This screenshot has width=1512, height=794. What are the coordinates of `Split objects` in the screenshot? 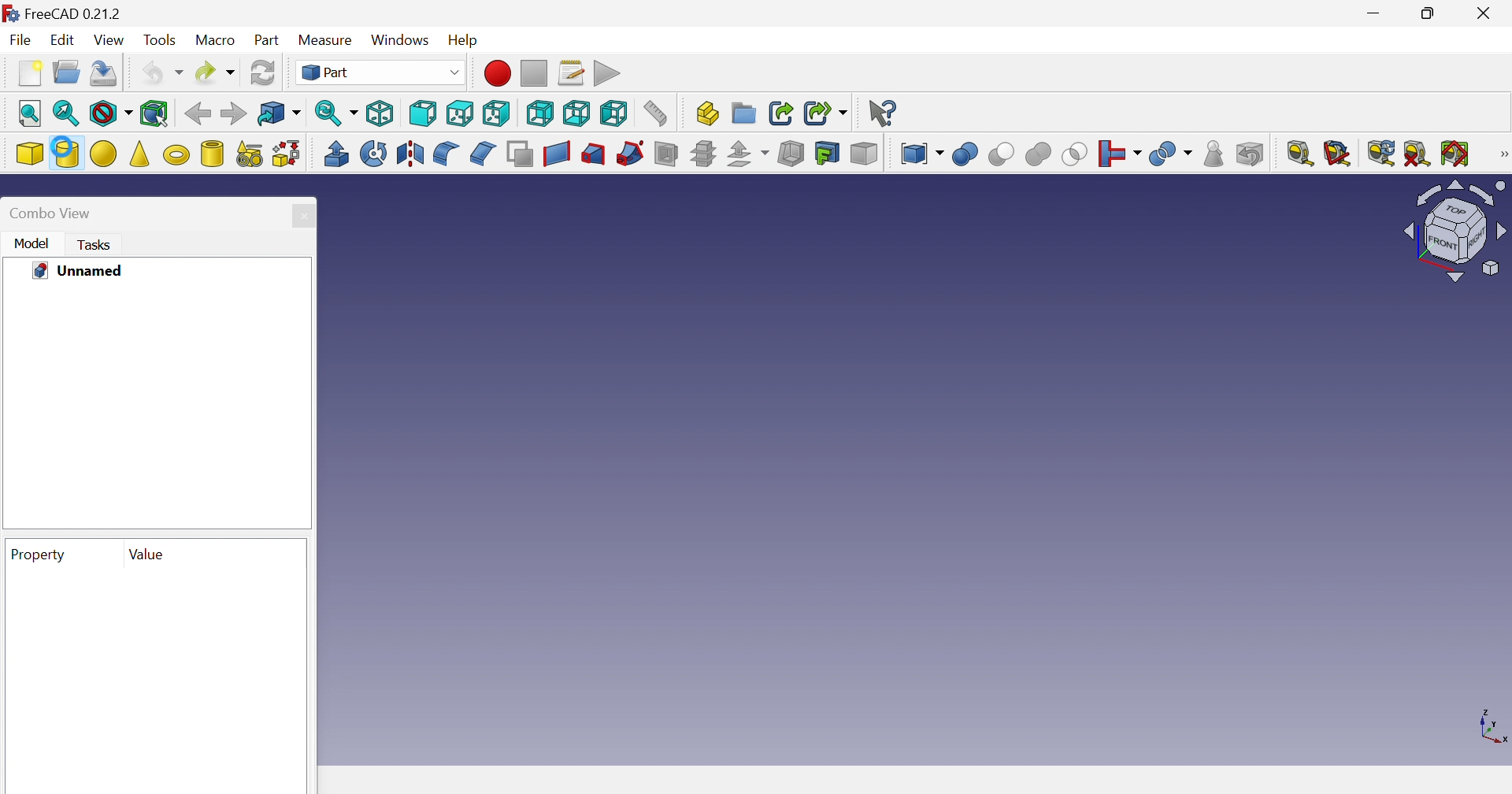 It's located at (1173, 154).